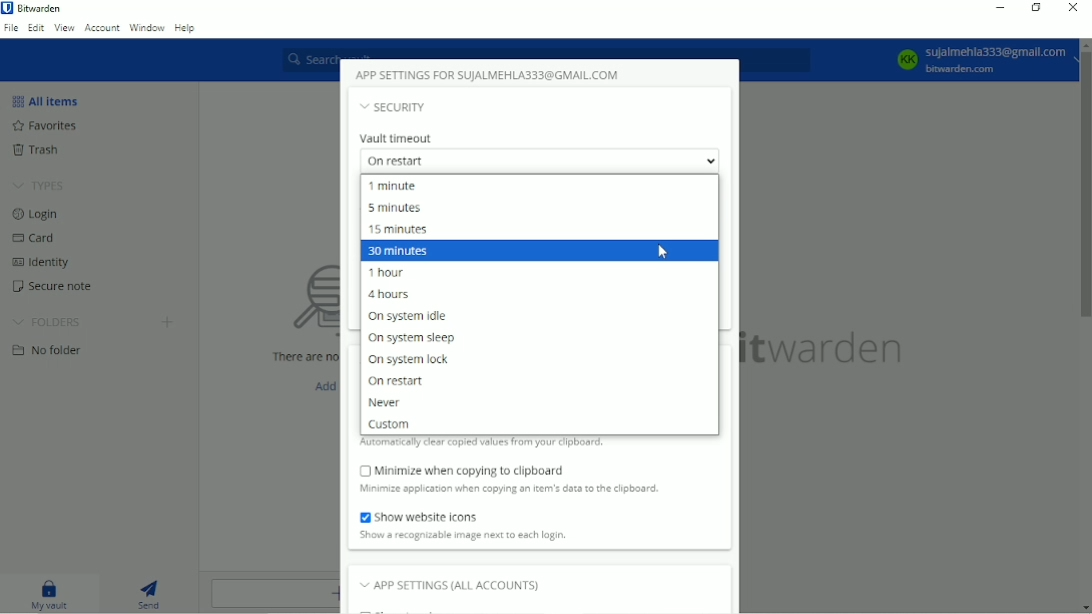 This screenshot has width=1092, height=614. I want to click on Add item , so click(320, 385).